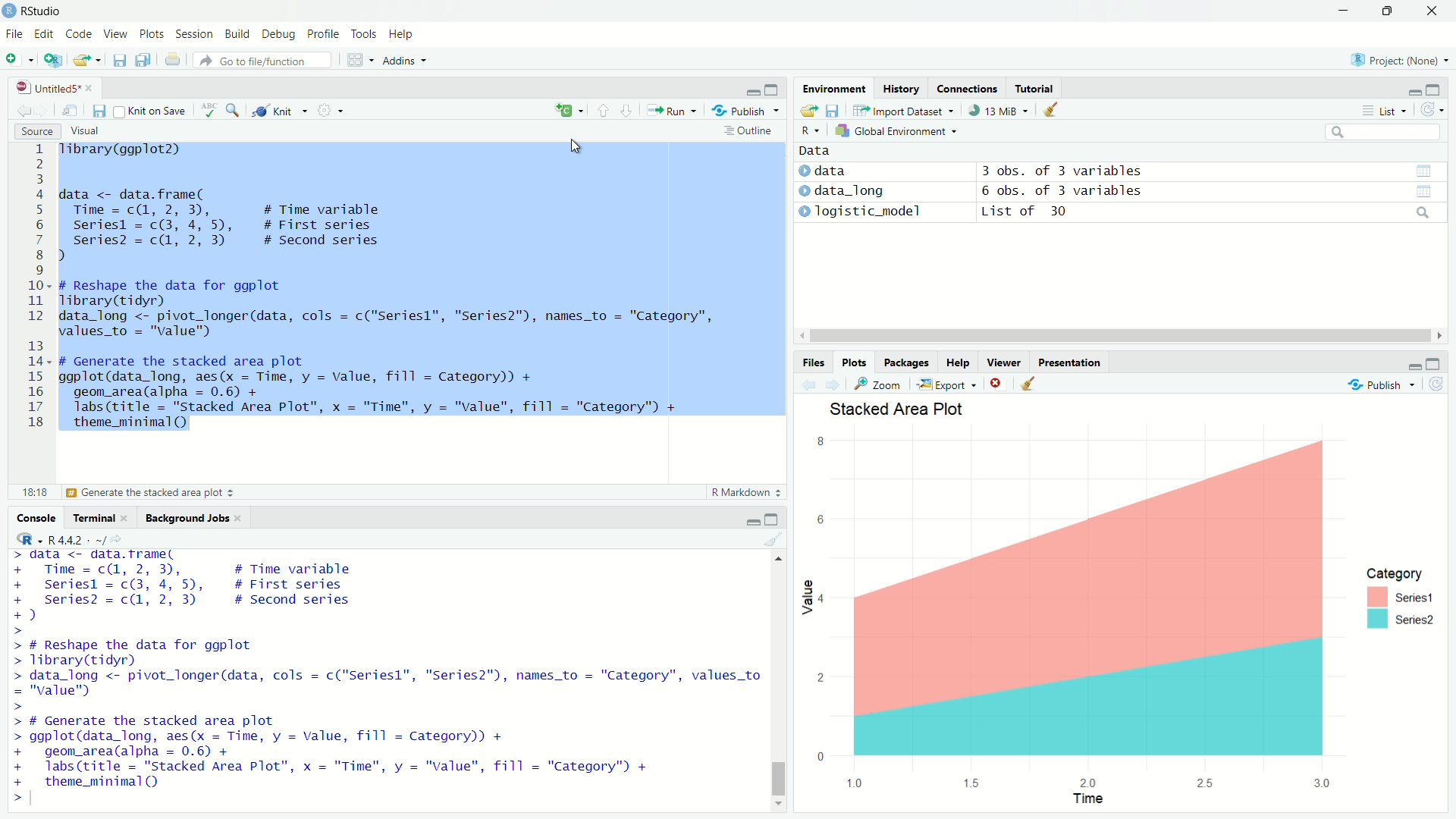 The height and width of the screenshot is (819, 1456). Describe the element at coordinates (733, 490) in the screenshot. I see `R Markdown ` at that location.